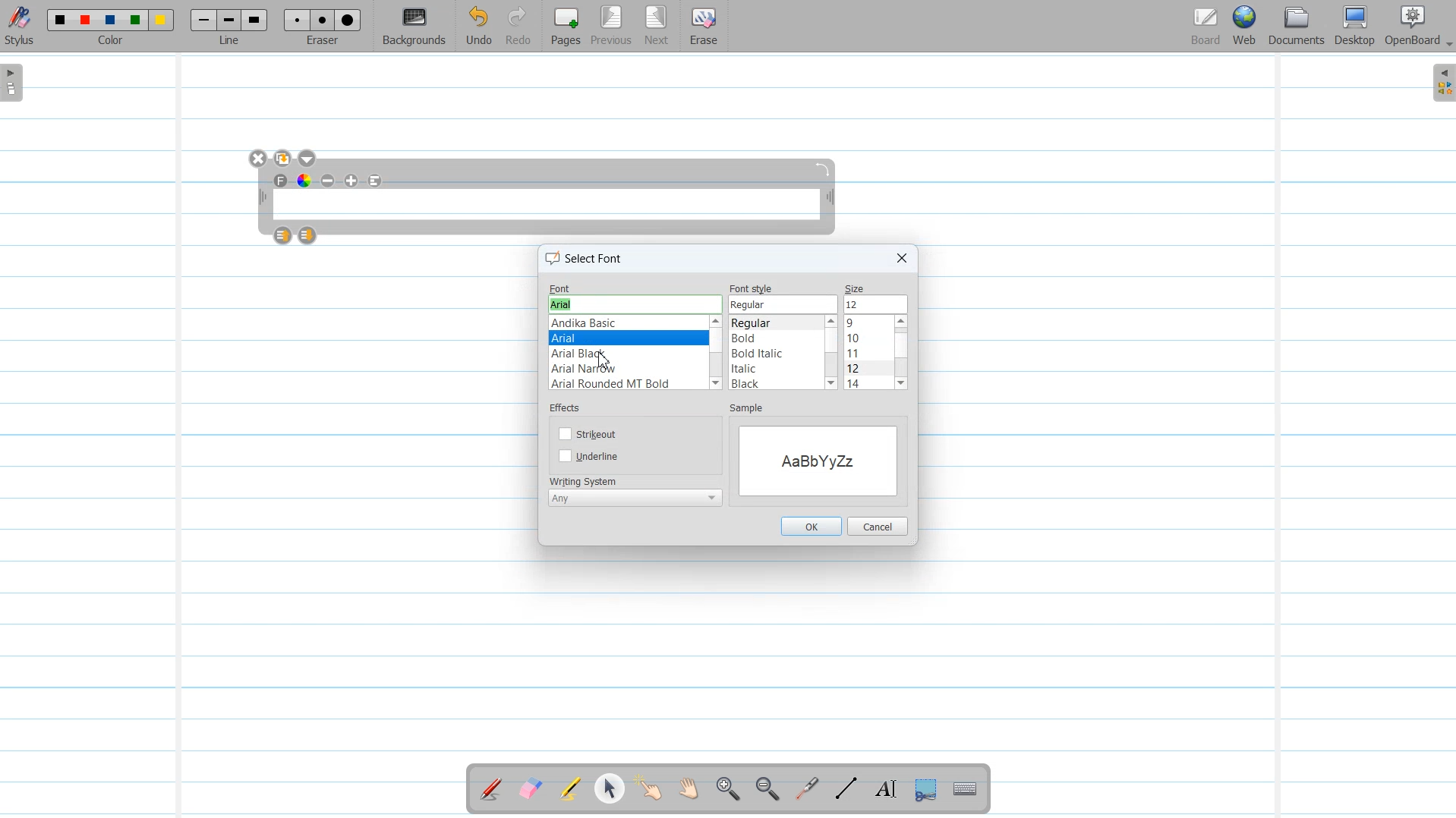  What do you see at coordinates (491, 789) in the screenshot?
I see `Annotate Document` at bounding box center [491, 789].